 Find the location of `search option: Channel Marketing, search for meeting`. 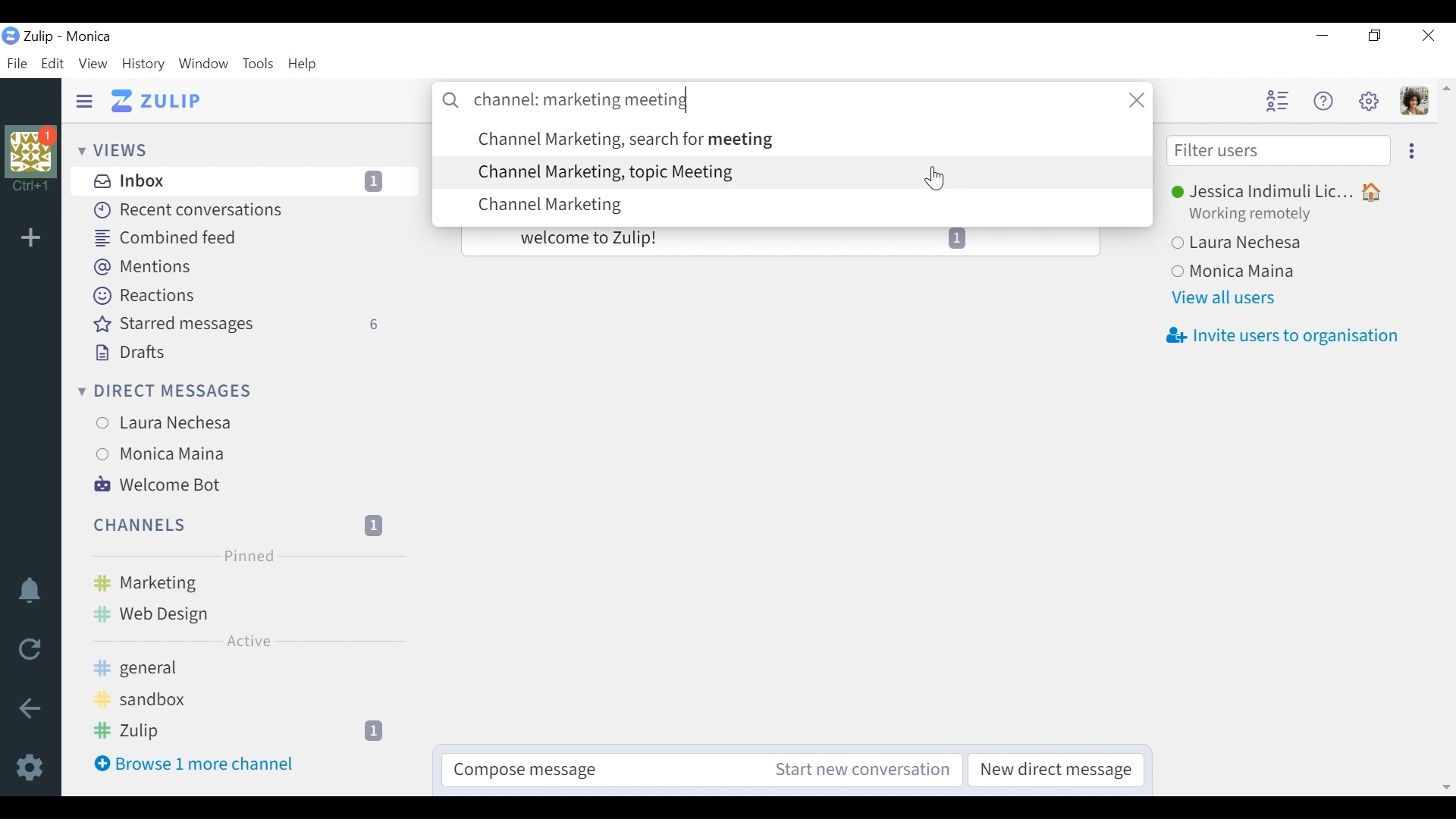

search option: Channel Marketing, search for meeting is located at coordinates (785, 140).